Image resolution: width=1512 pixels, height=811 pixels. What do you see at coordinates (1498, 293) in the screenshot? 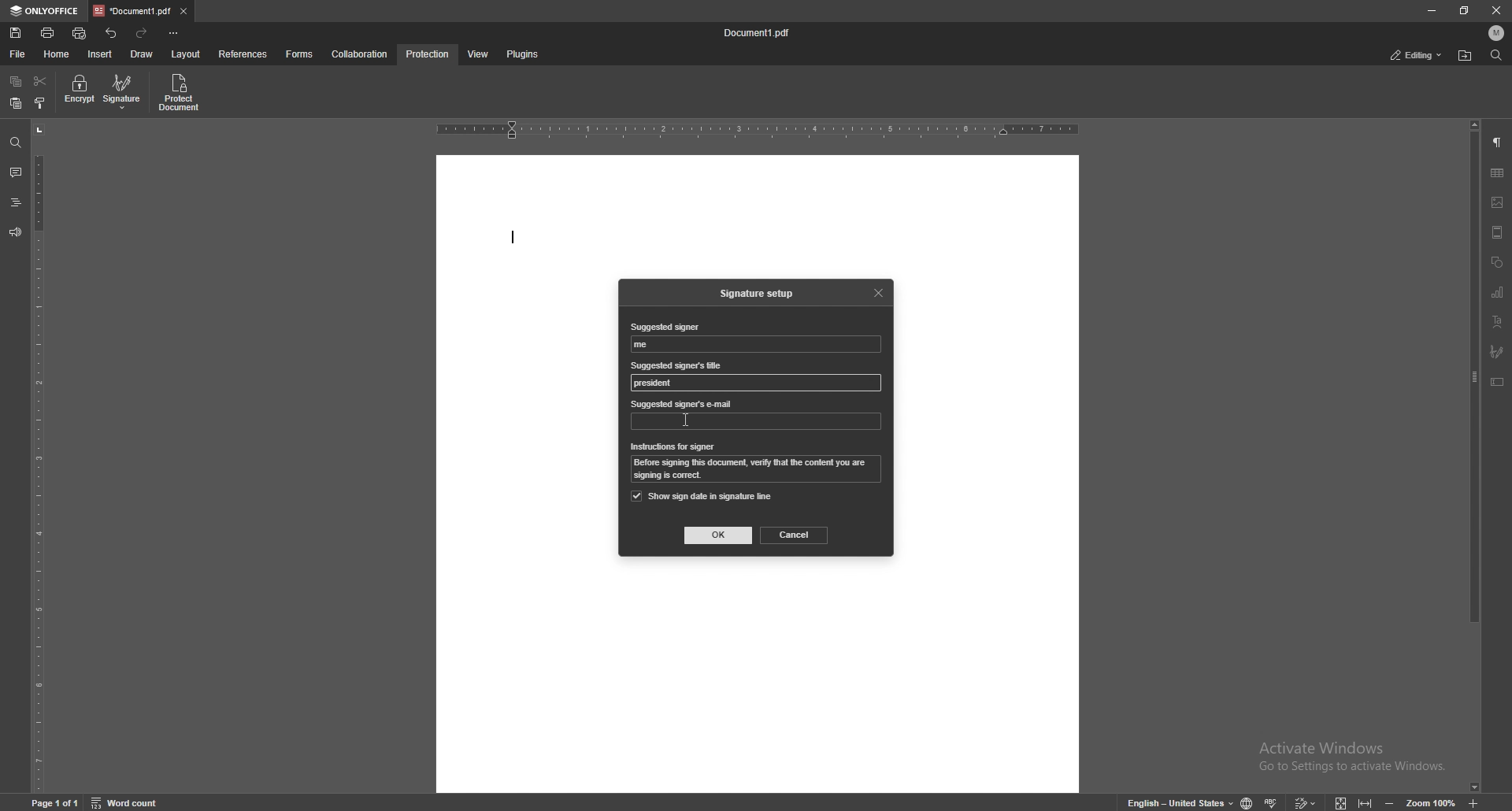
I see `chart` at bounding box center [1498, 293].